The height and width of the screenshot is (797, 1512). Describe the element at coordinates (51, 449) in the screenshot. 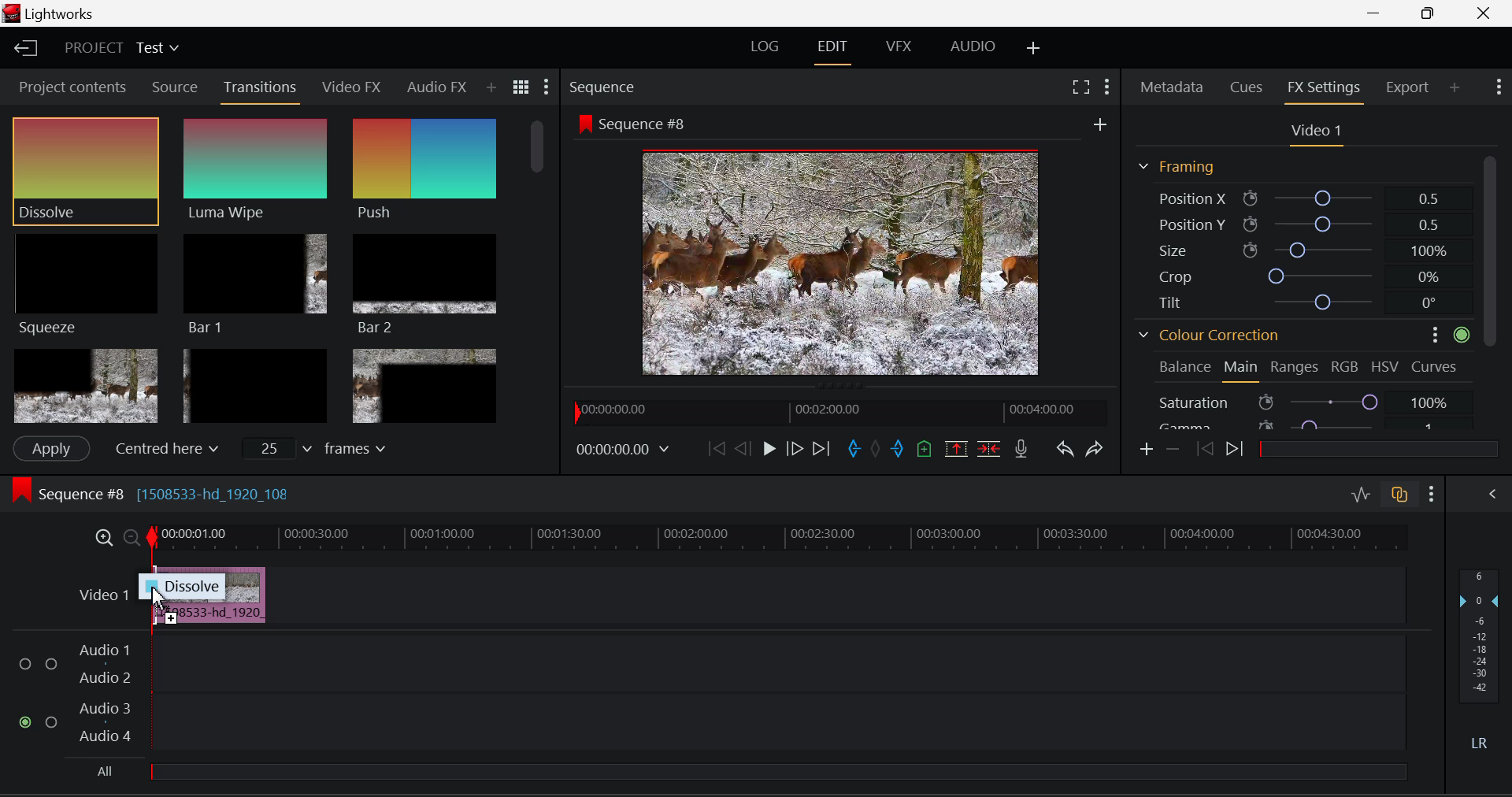

I see `Apply` at that location.